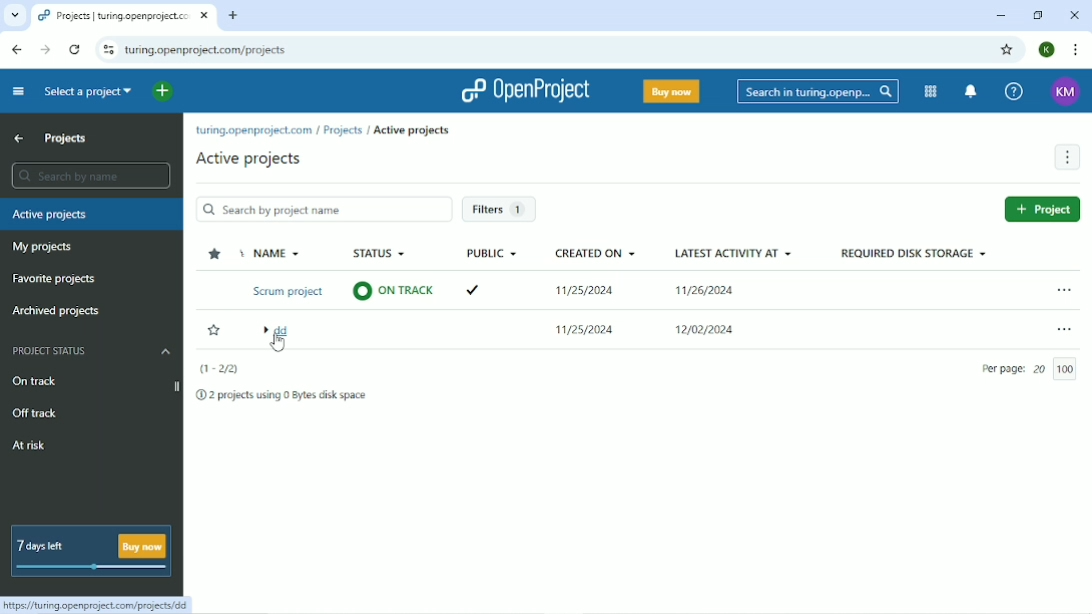 Image resolution: width=1092 pixels, height=614 pixels. I want to click on Status, so click(395, 275).